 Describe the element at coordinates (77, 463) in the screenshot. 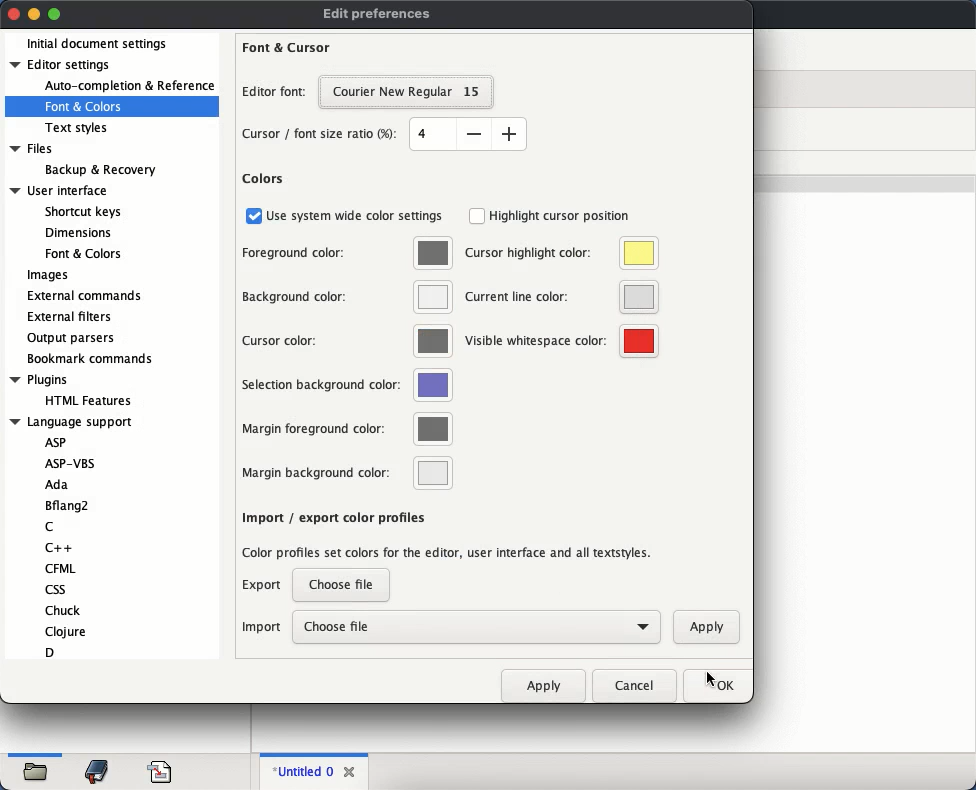

I see `ASP-VBS` at that location.